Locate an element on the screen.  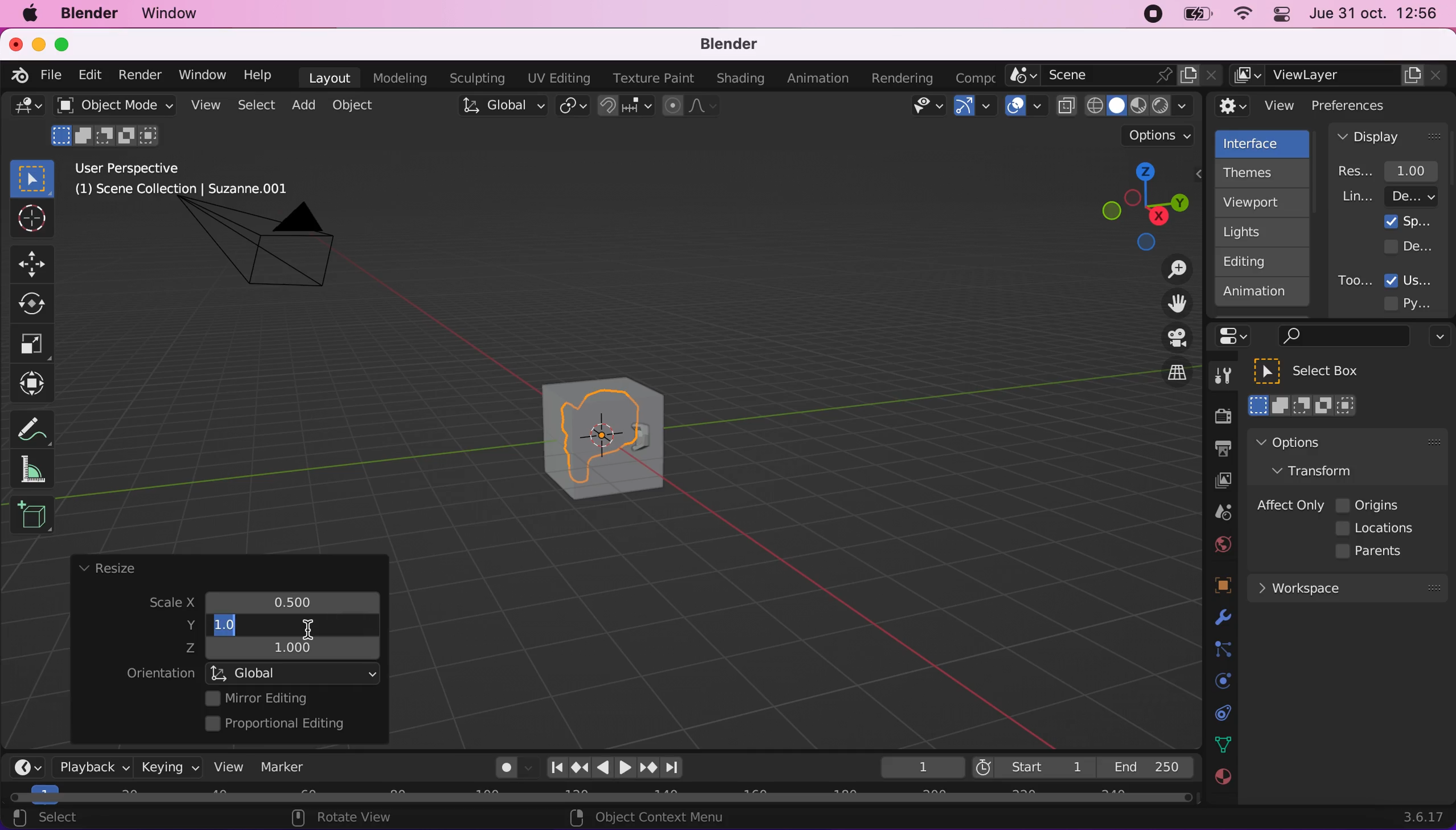
lights is located at coordinates (1265, 233).